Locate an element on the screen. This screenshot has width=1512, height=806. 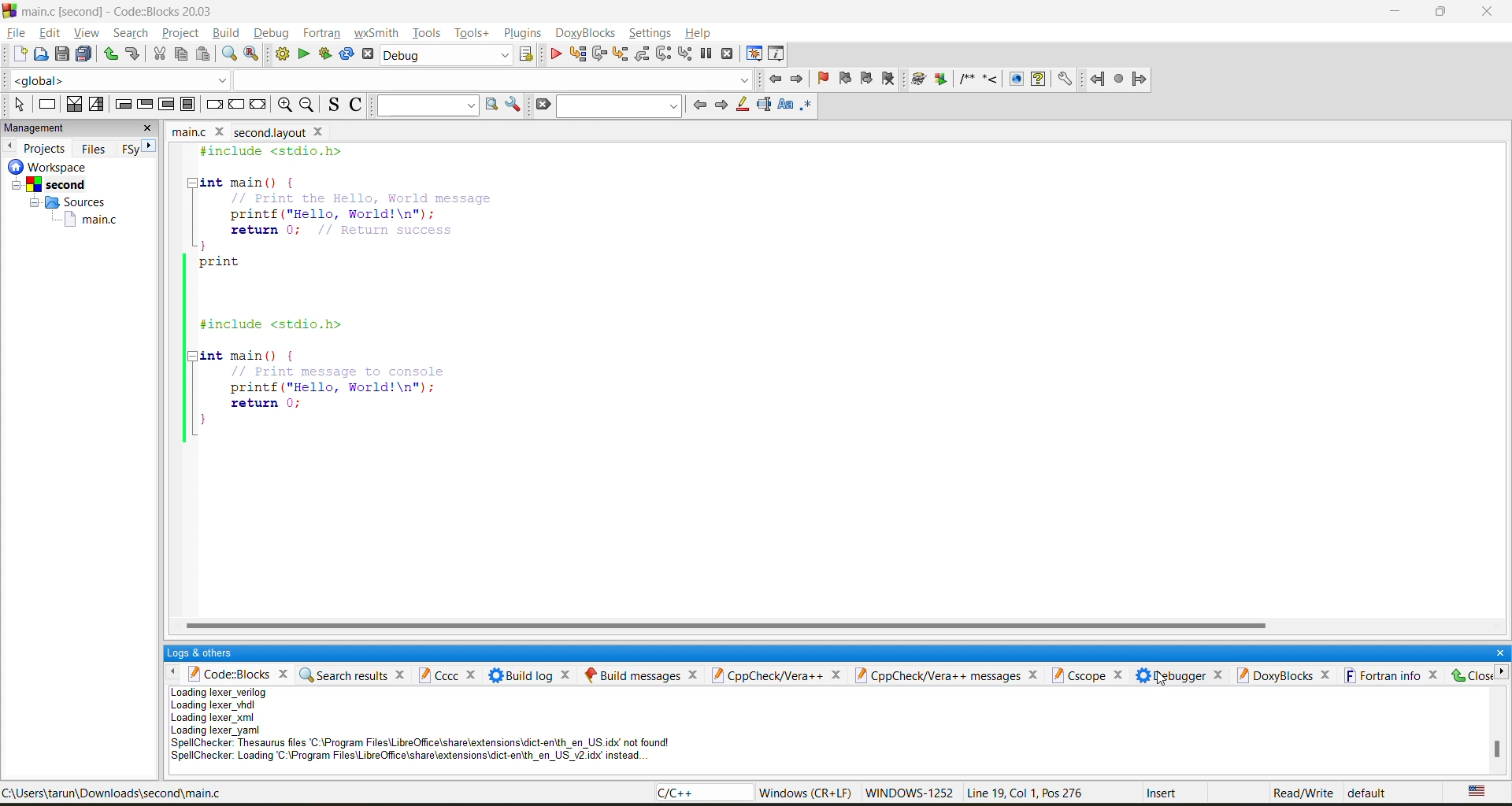
next bookmark is located at coordinates (868, 79).